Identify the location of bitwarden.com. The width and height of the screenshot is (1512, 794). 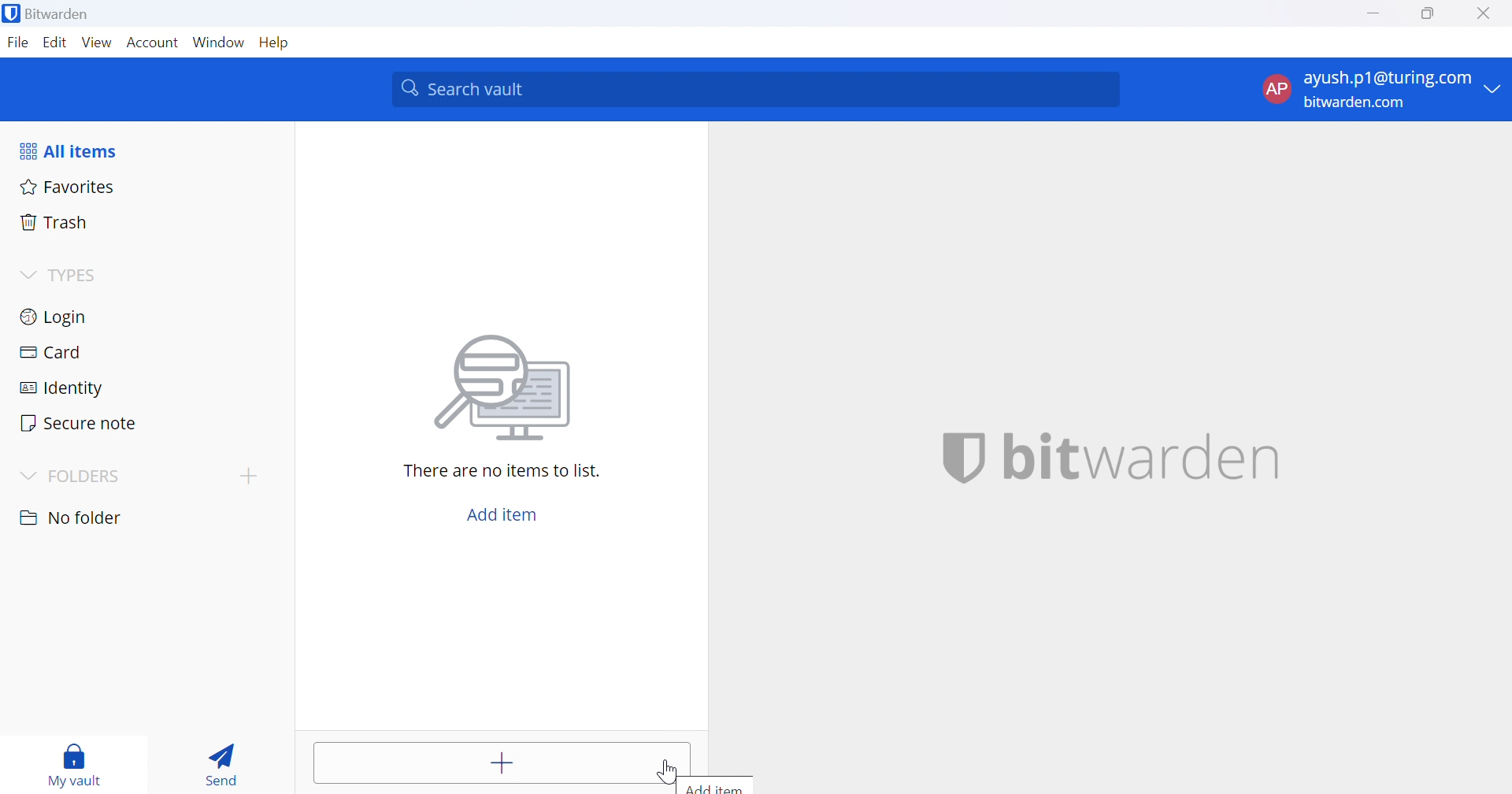
(1354, 102).